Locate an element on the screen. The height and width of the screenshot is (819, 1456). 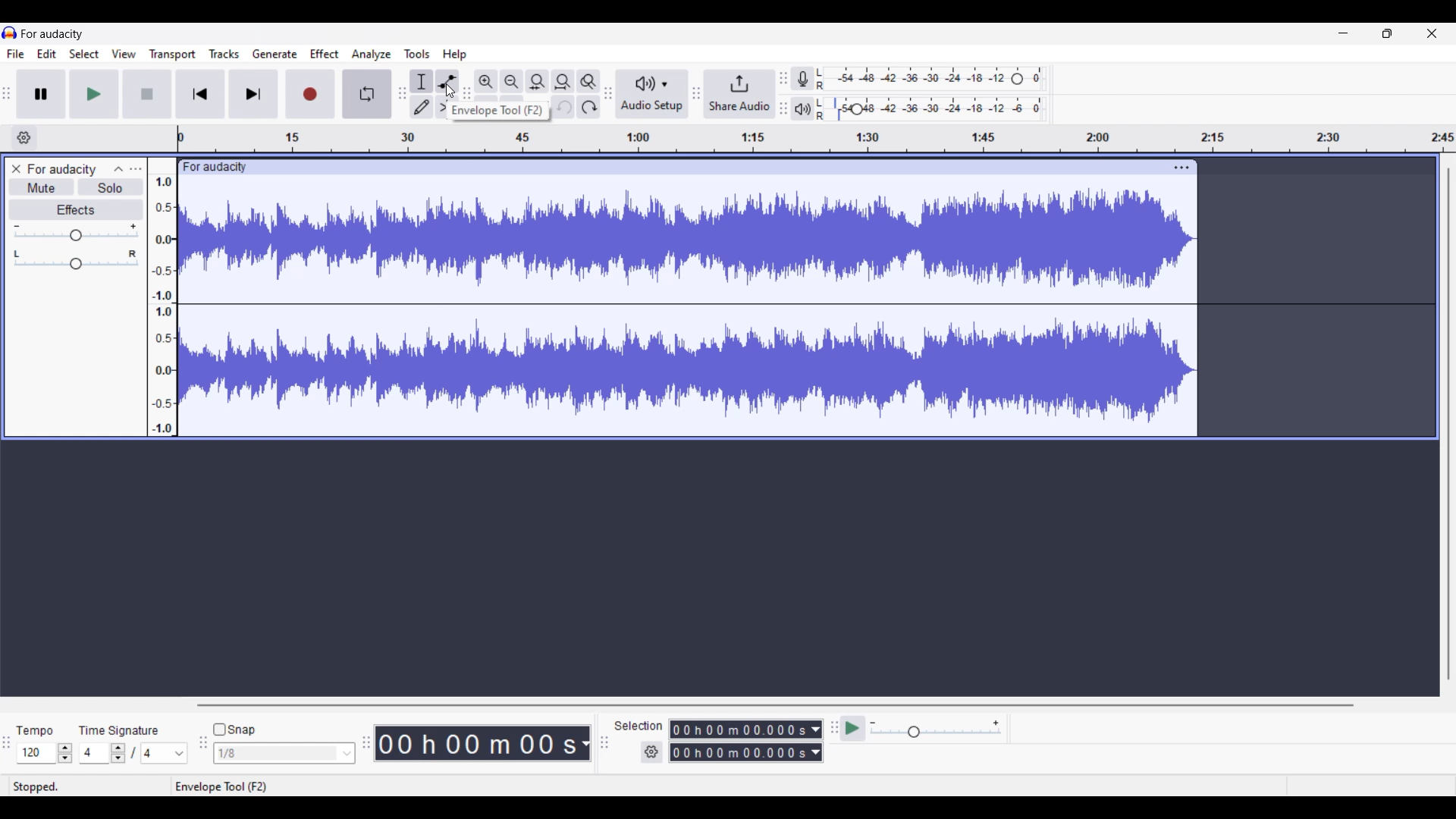
logo is located at coordinates (10, 33).